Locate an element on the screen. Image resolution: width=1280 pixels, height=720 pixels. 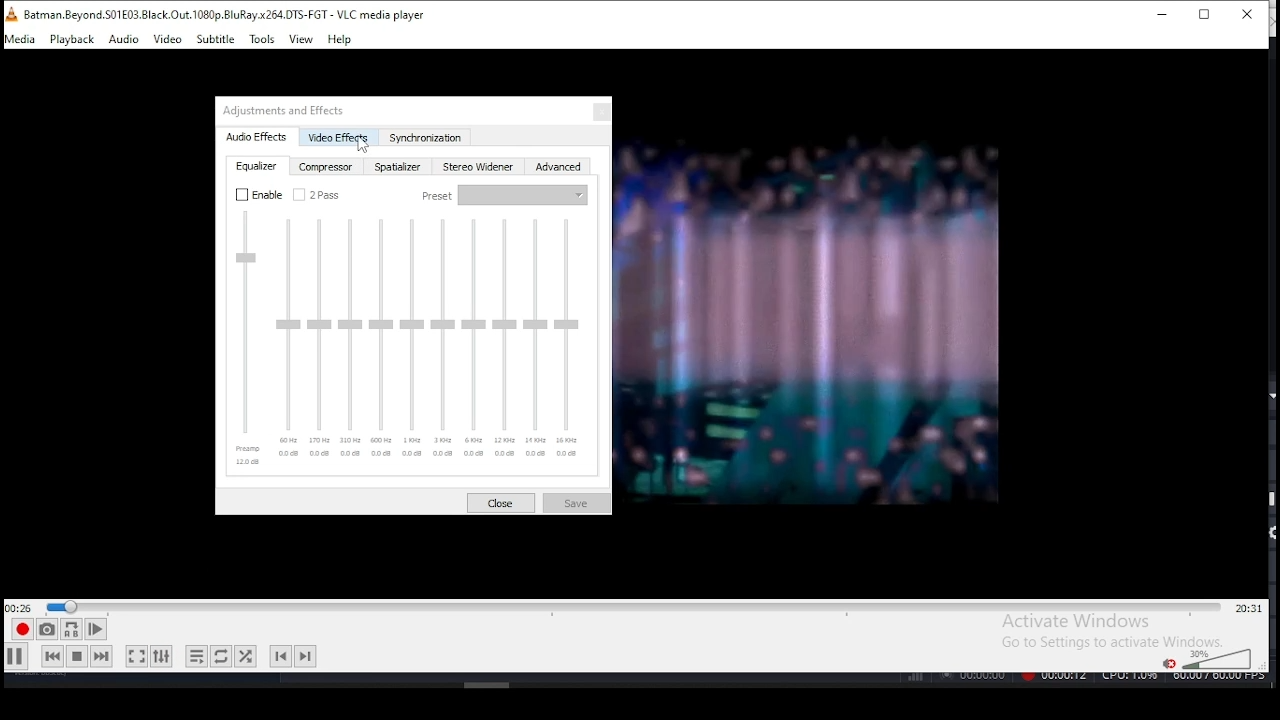
audio effects is located at coordinates (259, 137).